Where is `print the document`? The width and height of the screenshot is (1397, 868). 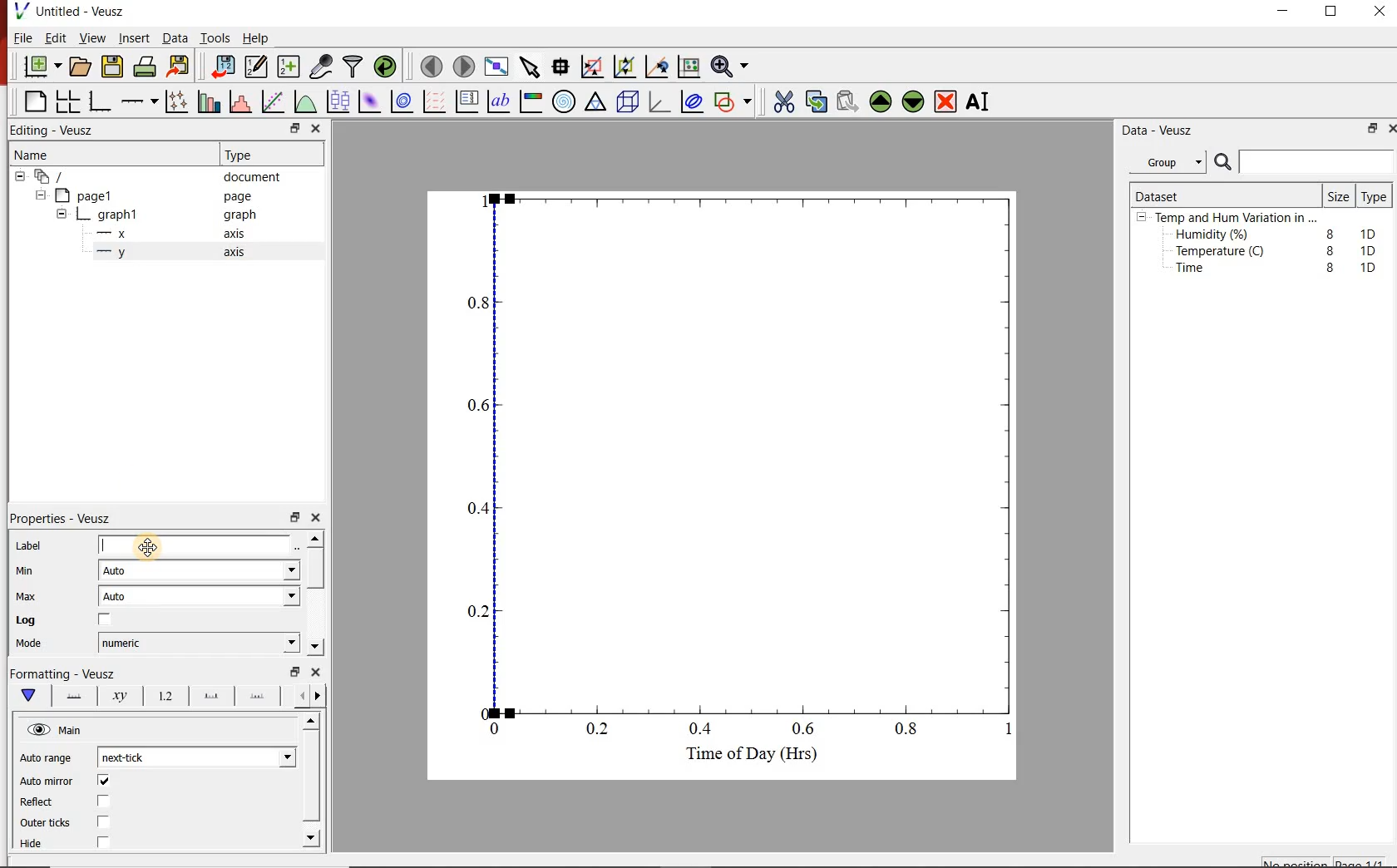
print the document is located at coordinates (146, 69).